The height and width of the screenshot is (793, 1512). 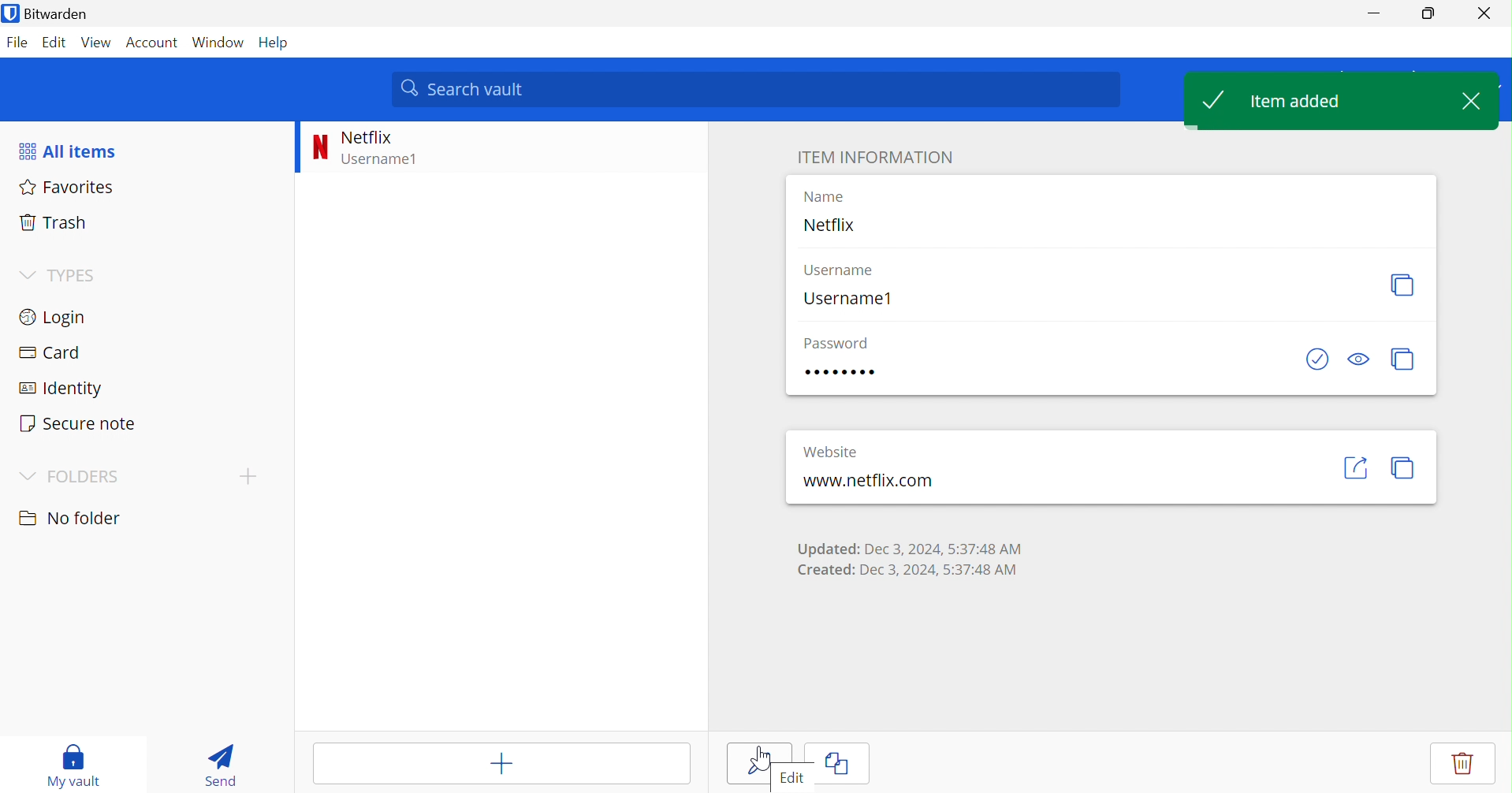 I want to click on Password, so click(x=836, y=344).